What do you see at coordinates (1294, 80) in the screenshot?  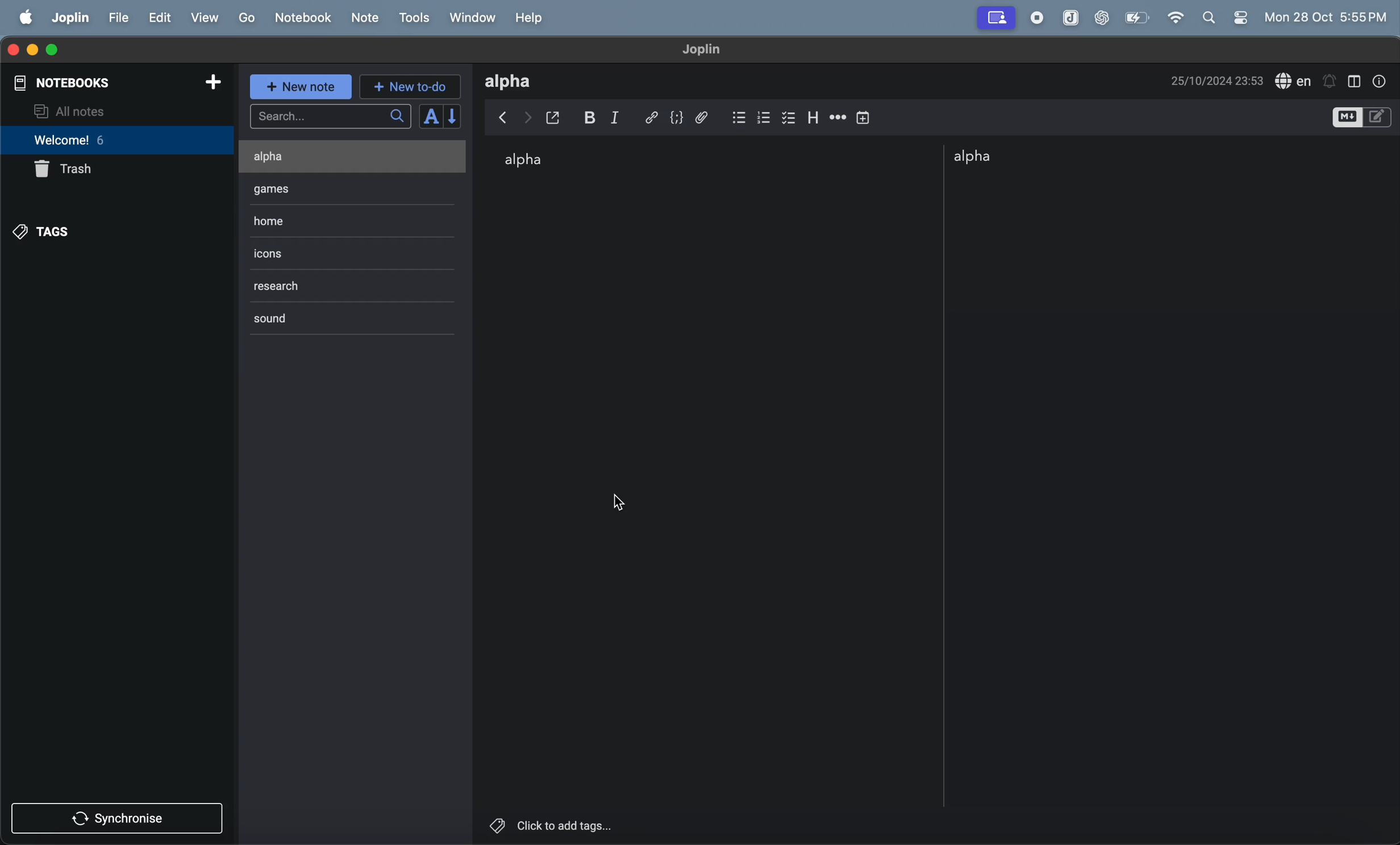 I see `spell check` at bounding box center [1294, 80].